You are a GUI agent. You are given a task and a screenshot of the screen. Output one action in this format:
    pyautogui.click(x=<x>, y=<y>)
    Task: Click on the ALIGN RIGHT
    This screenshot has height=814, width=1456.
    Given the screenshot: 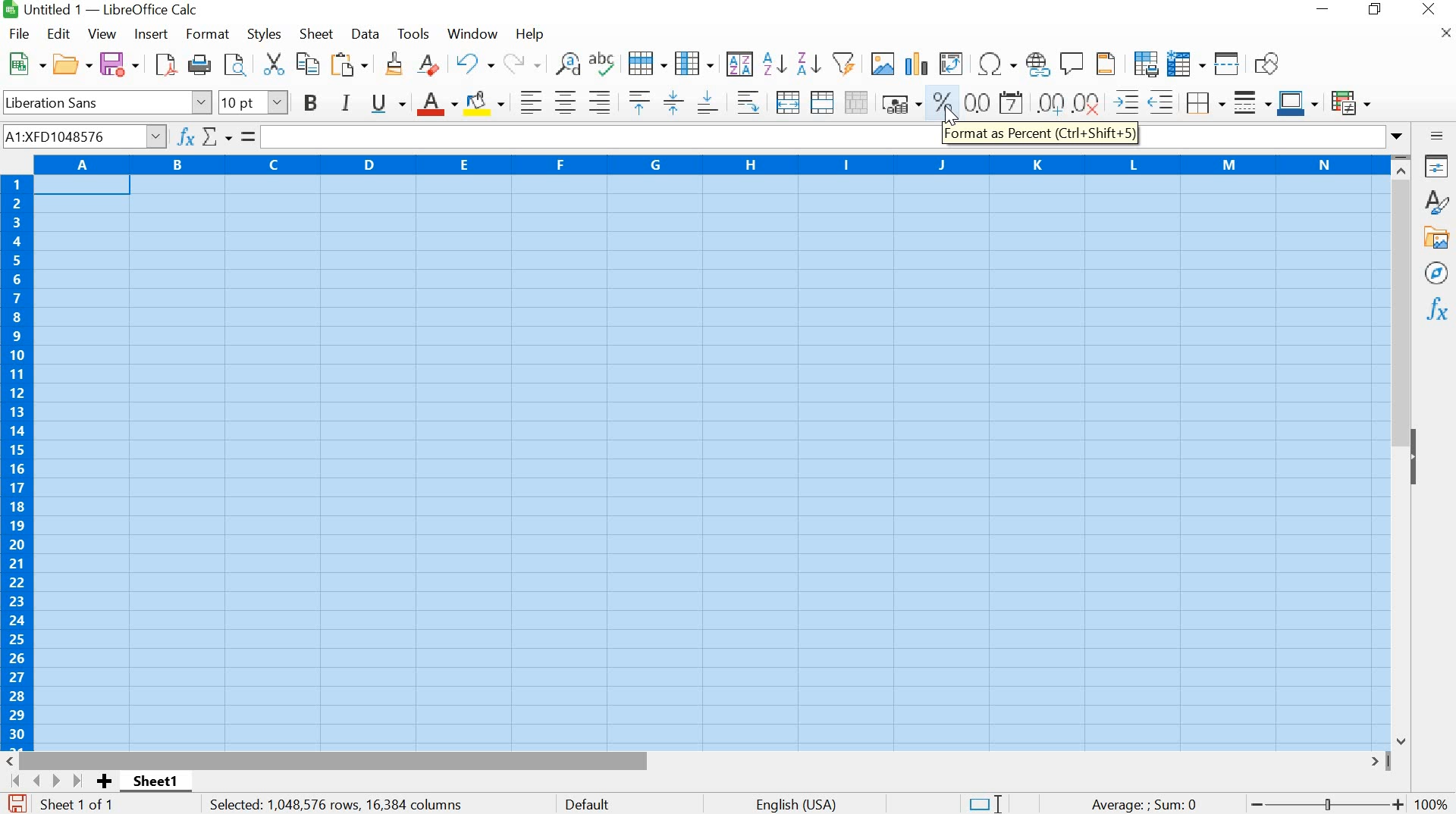 What is the action you would take?
    pyautogui.click(x=750, y=102)
    